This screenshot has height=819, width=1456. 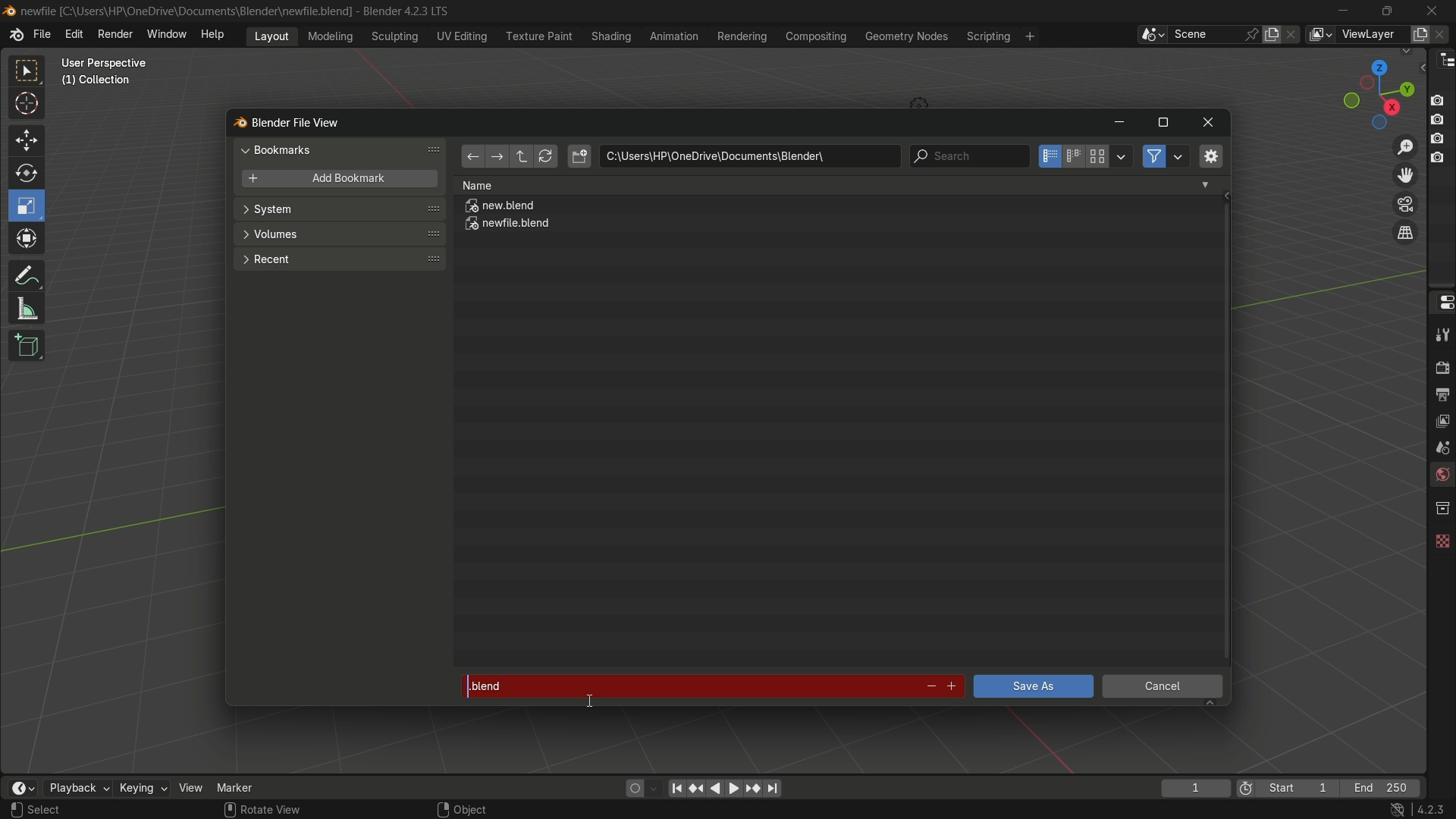 I want to click on jump to keyframe, so click(x=753, y=787).